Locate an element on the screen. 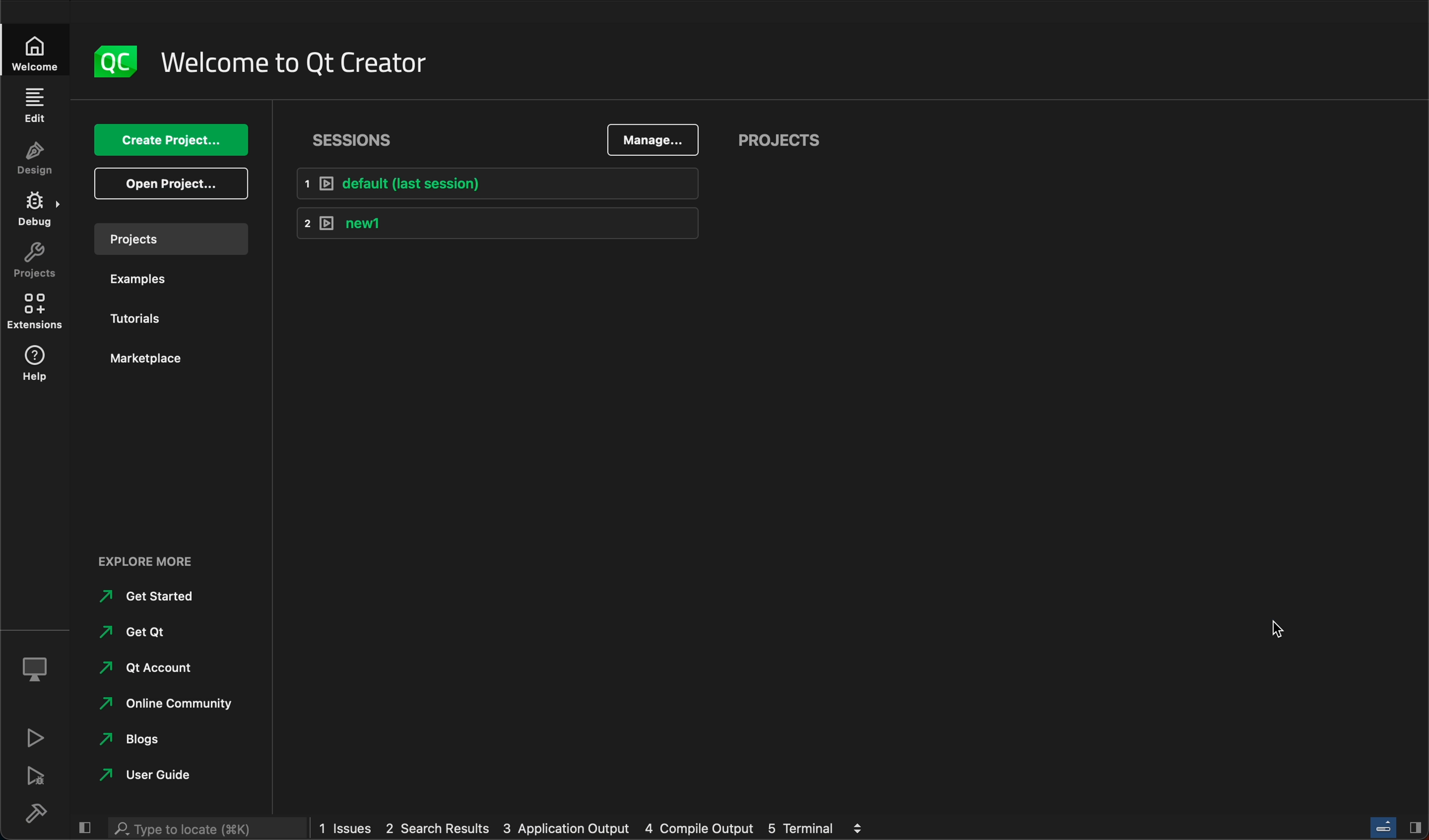 Image resolution: width=1429 pixels, height=840 pixels. online community is located at coordinates (166, 706).